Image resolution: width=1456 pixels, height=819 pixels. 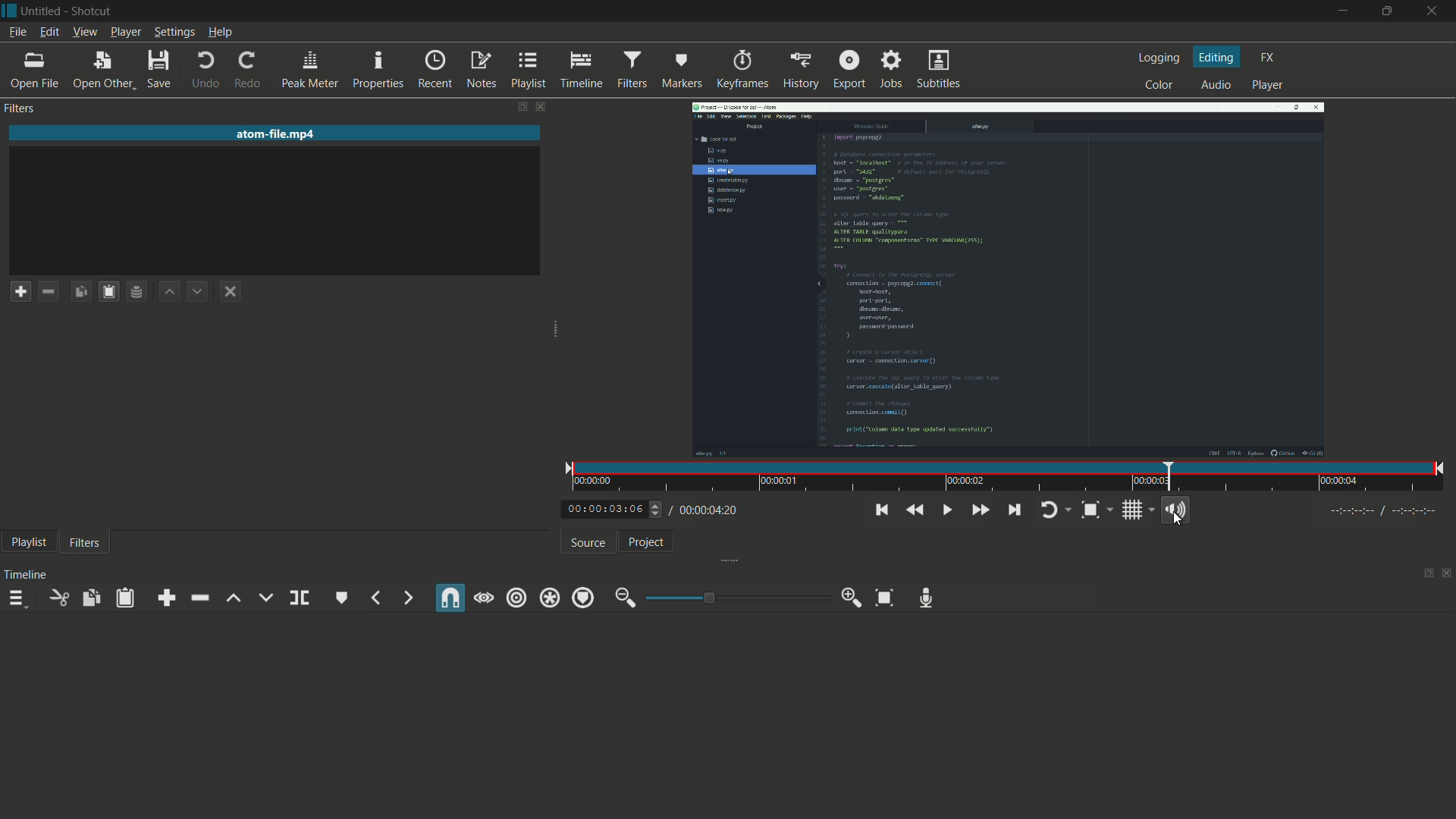 What do you see at coordinates (707, 511) in the screenshot?
I see `00:00:04:20` at bounding box center [707, 511].